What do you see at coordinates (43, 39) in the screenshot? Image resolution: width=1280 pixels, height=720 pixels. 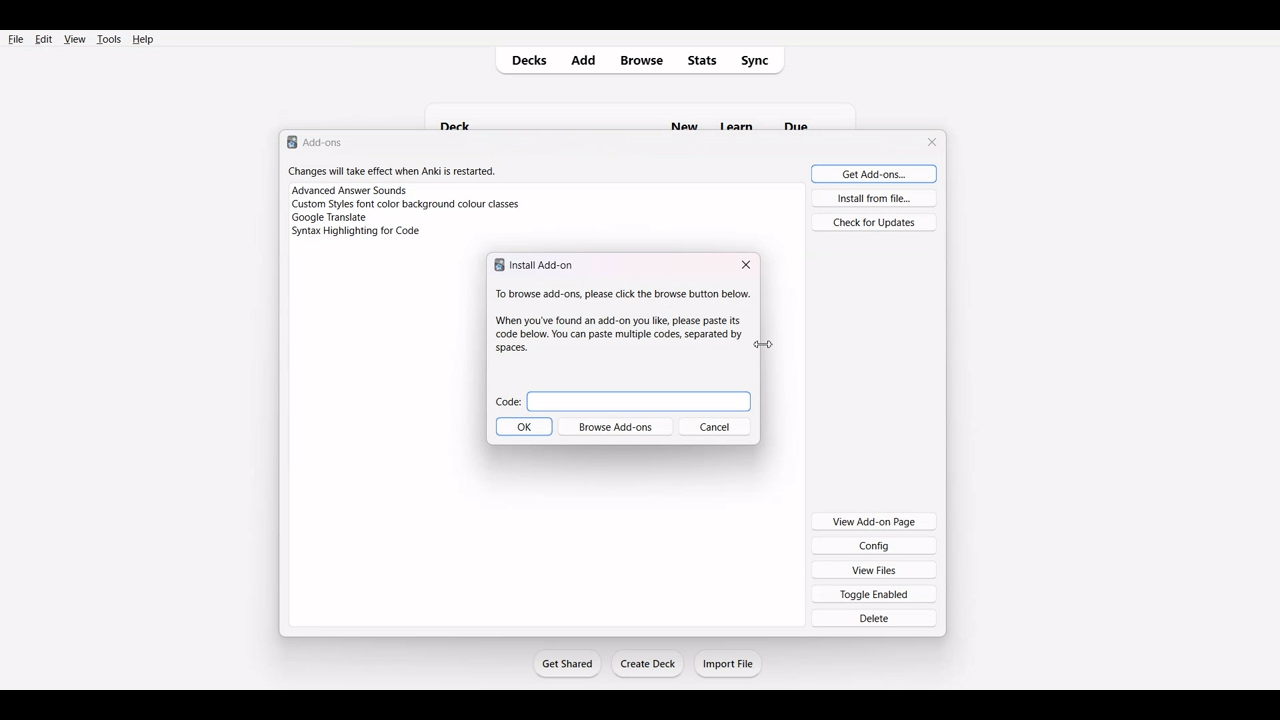 I see `Edit` at bounding box center [43, 39].